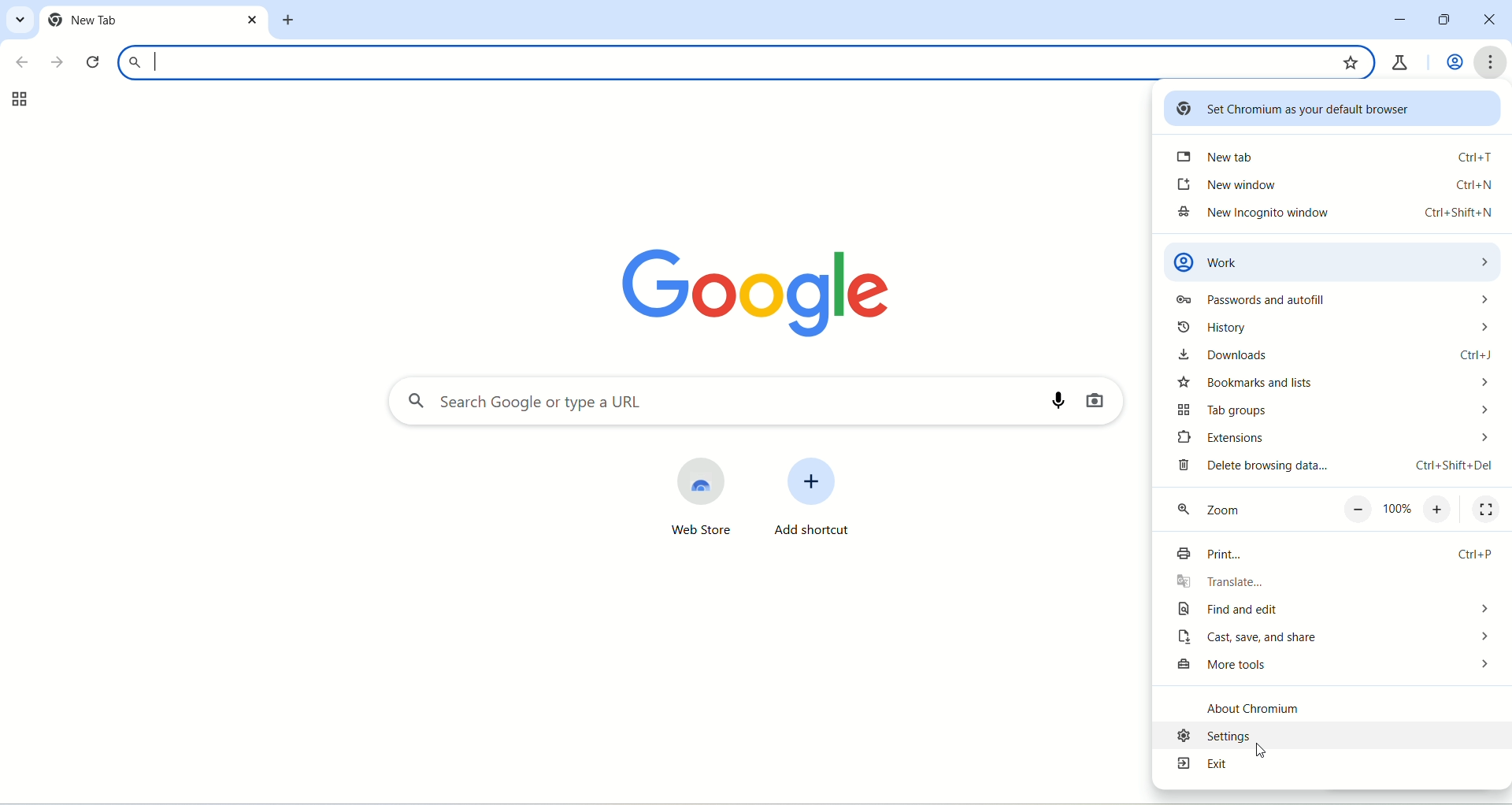  What do you see at coordinates (1103, 402) in the screenshot?
I see `search by camera` at bounding box center [1103, 402].